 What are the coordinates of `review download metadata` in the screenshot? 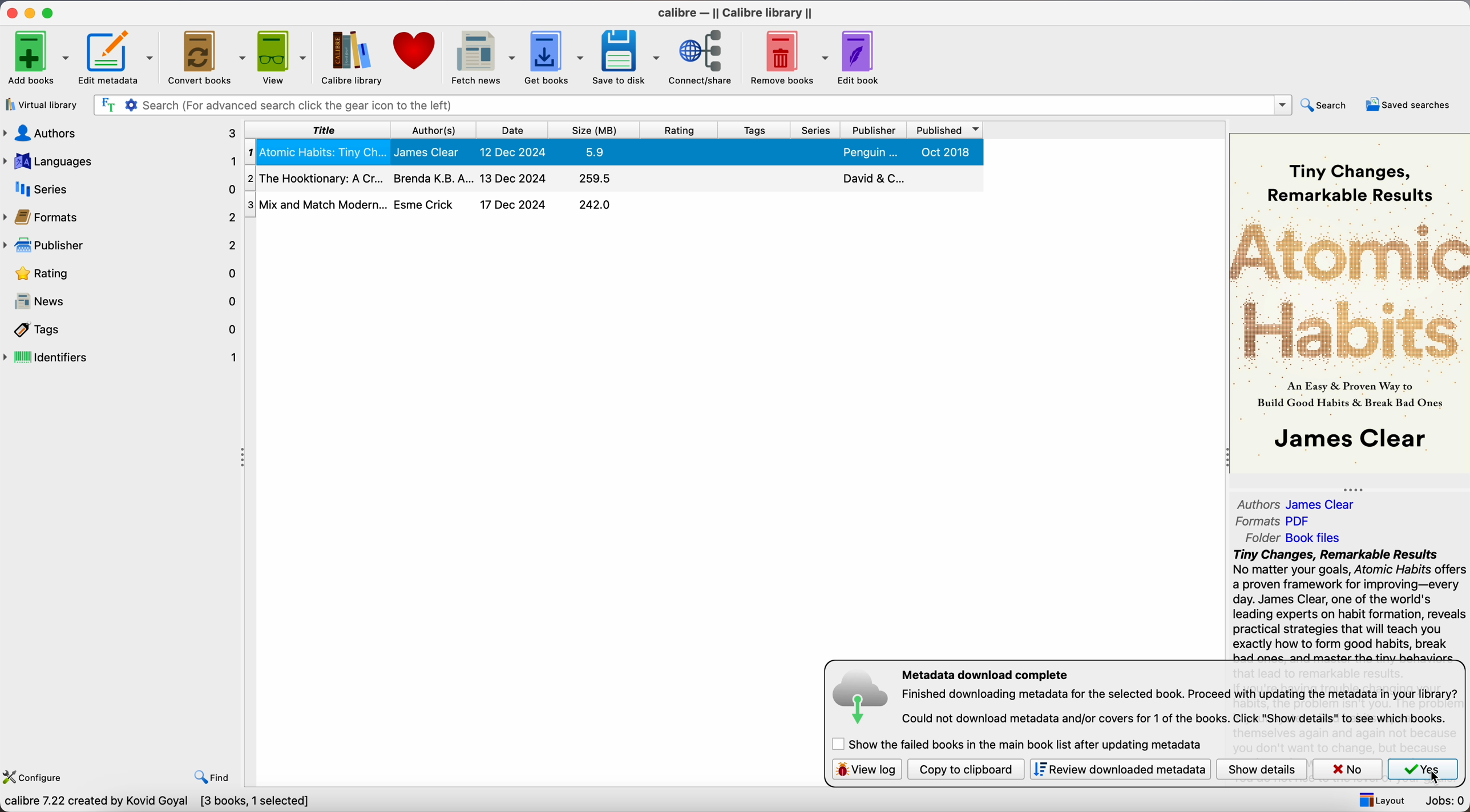 It's located at (1122, 769).